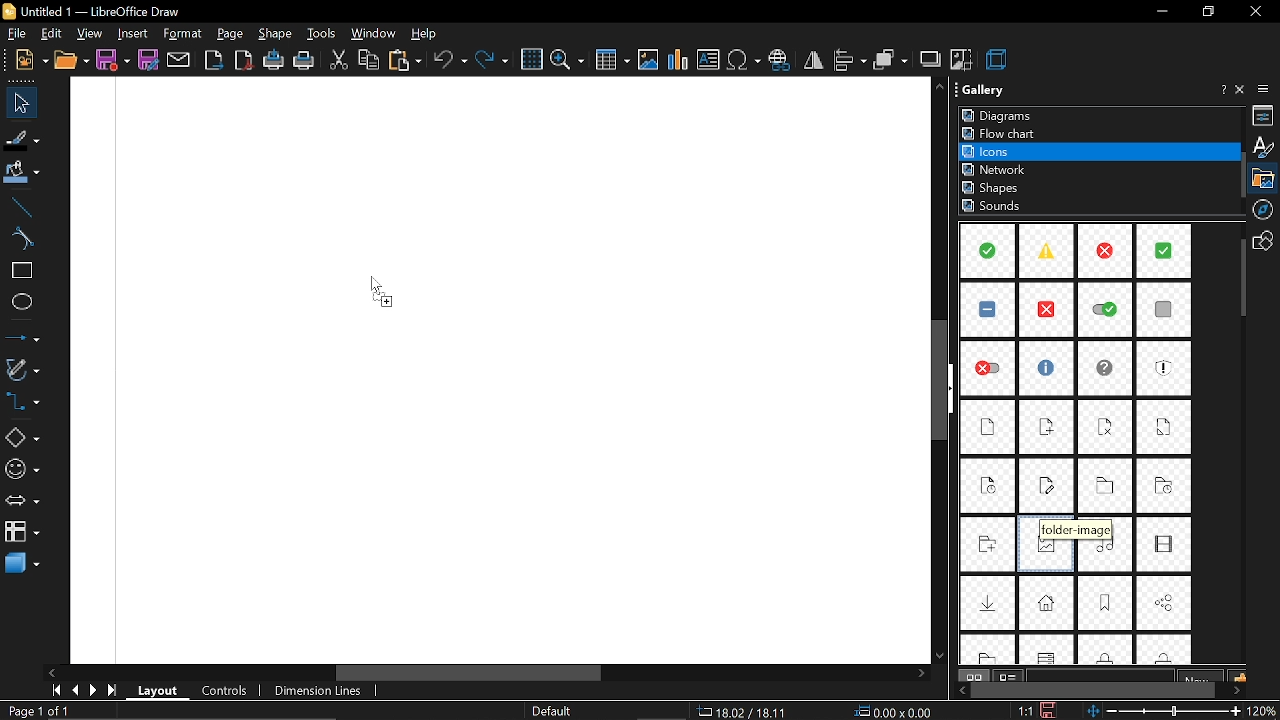  What do you see at coordinates (944, 384) in the screenshot?
I see `vertical scrollbar` at bounding box center [944, 384].